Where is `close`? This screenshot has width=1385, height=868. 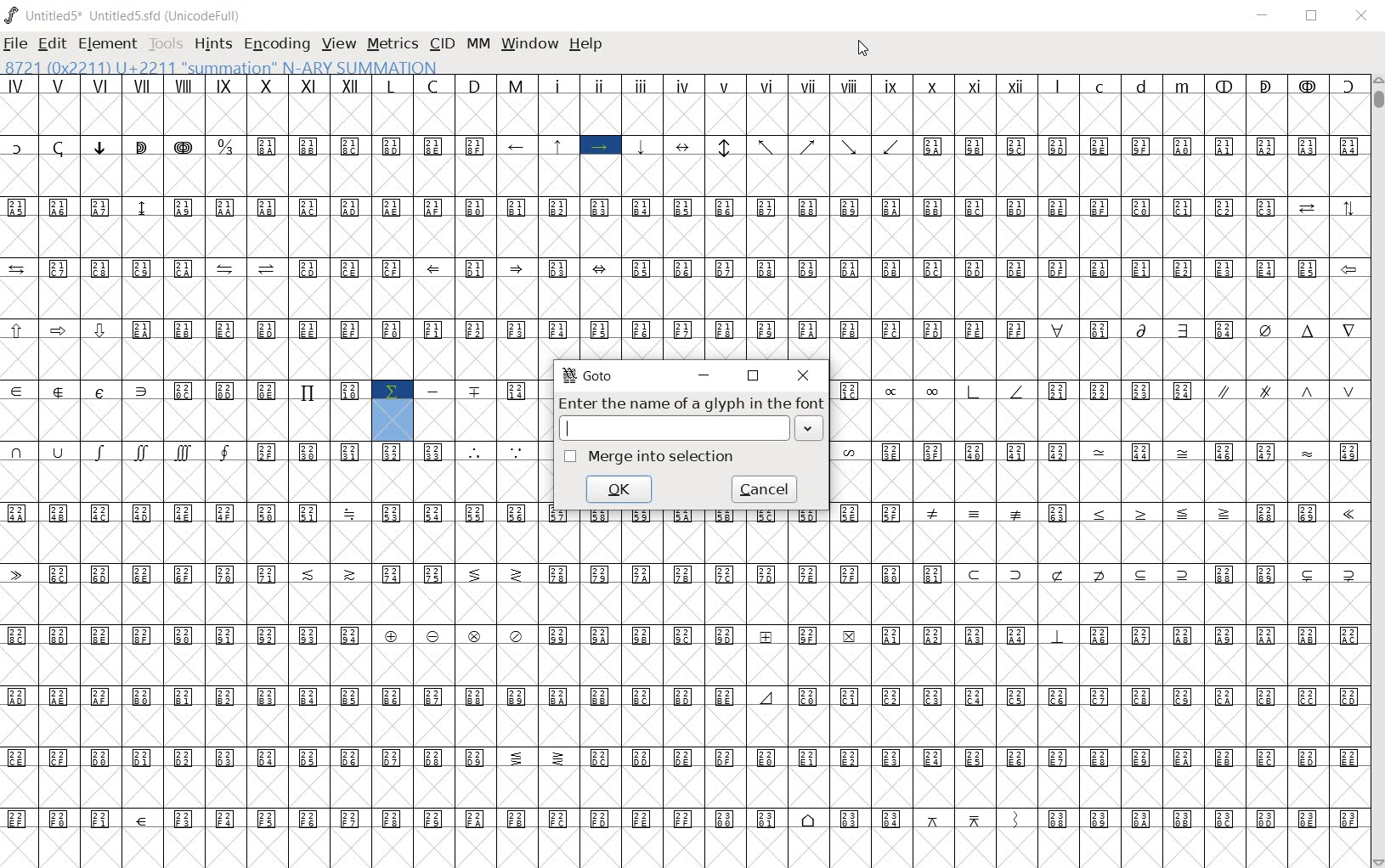
close is located at coordinates (801, 375).